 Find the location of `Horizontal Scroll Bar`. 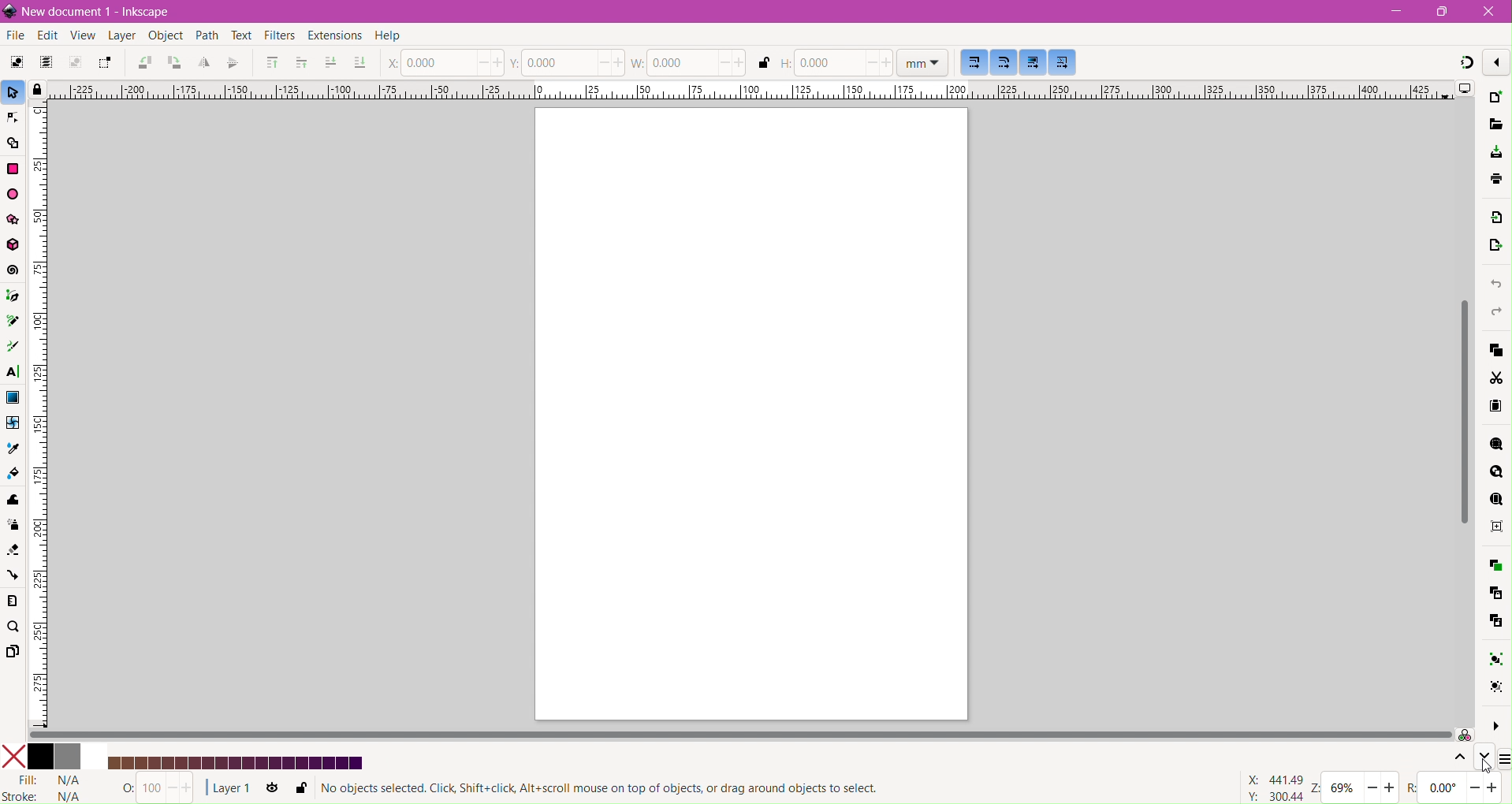

Horizontal Scroll Bar is located at coordinates (737, 735).